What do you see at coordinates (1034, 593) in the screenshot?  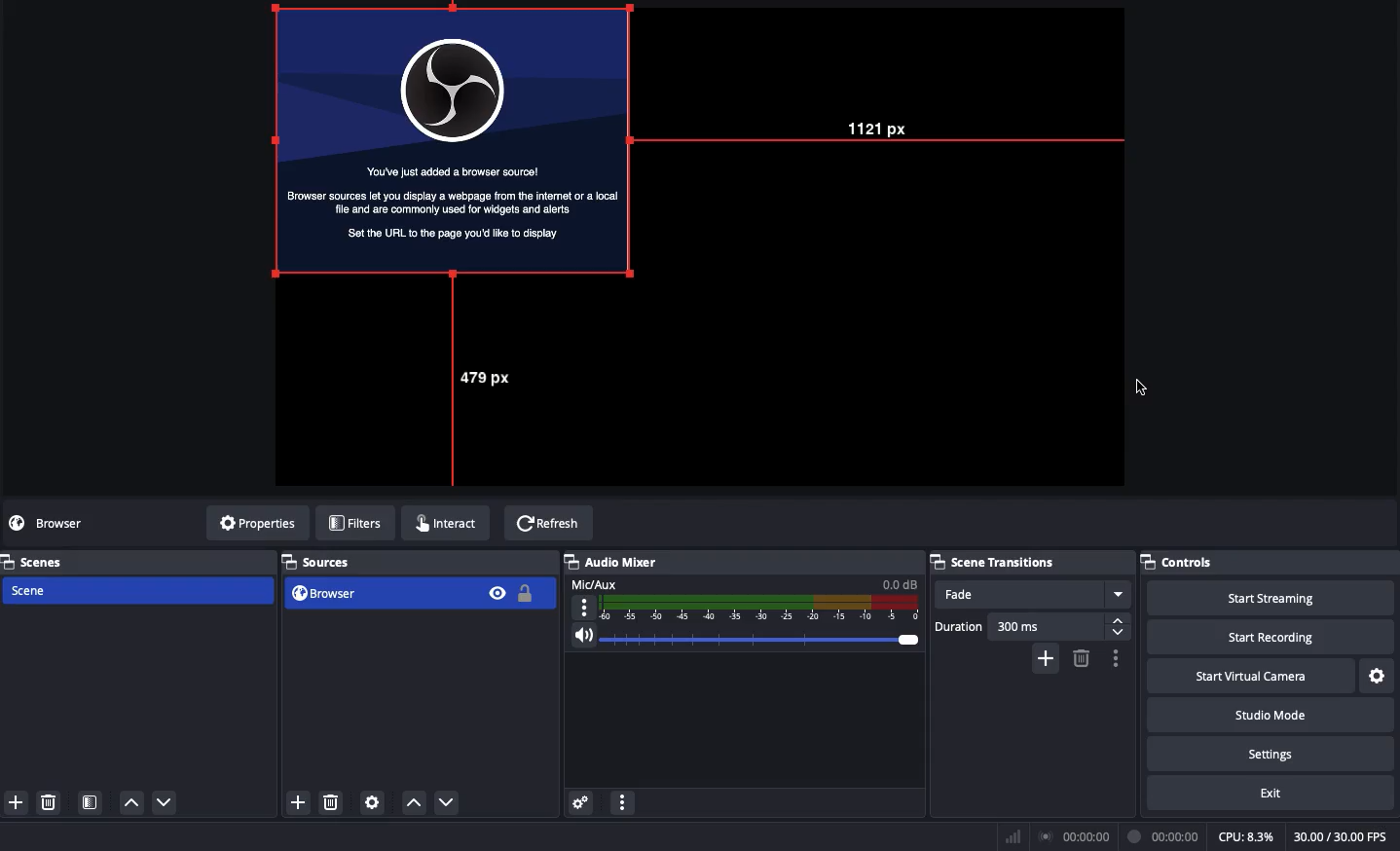 I see `Fade` at bounding box center [1034, 593].